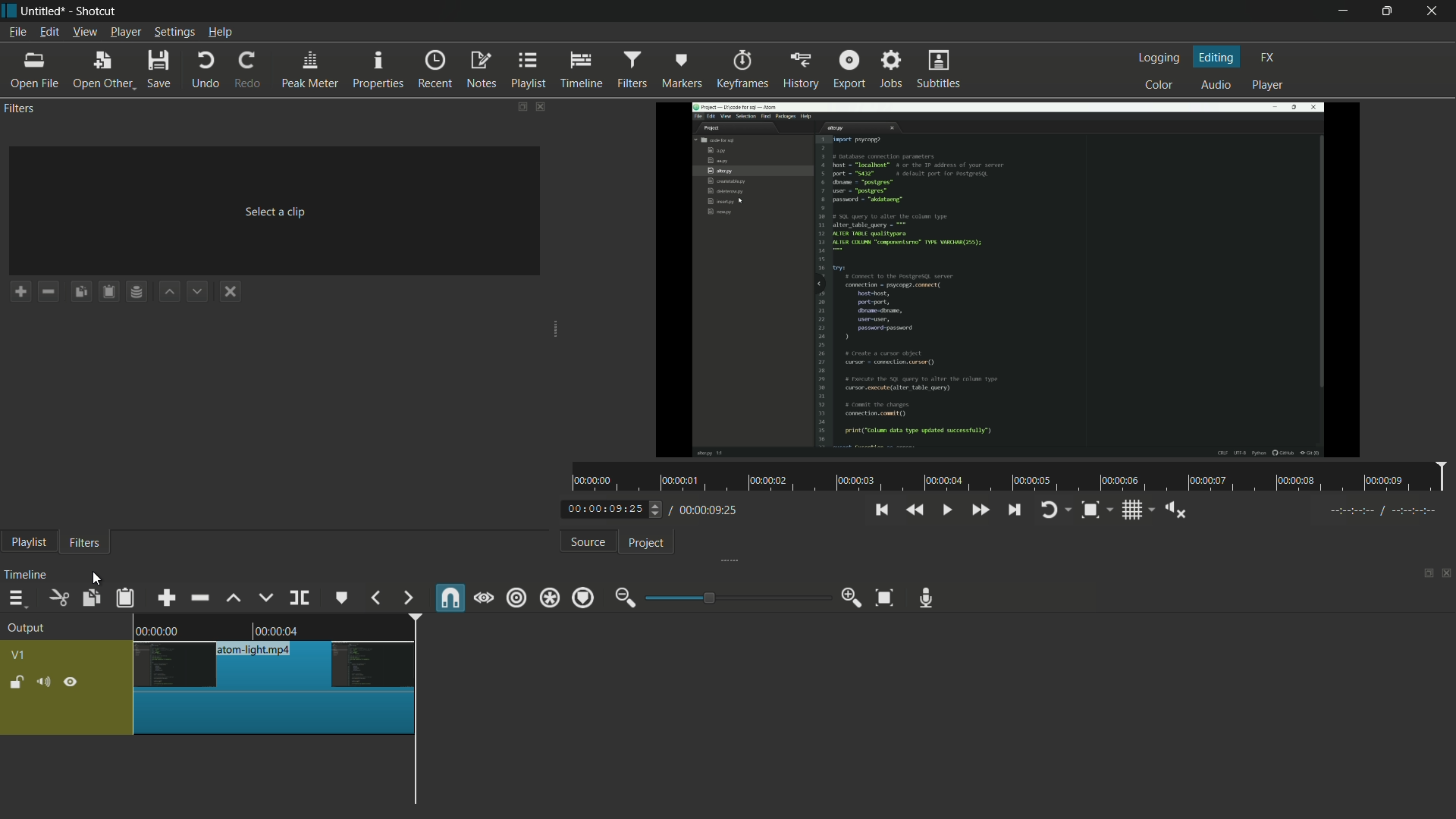 This screenshot has width=1456, height=819. What do you see at coordinates (979, 510) in the screenshot?
I see `quickly play forward` at bounding box center [979, 510].